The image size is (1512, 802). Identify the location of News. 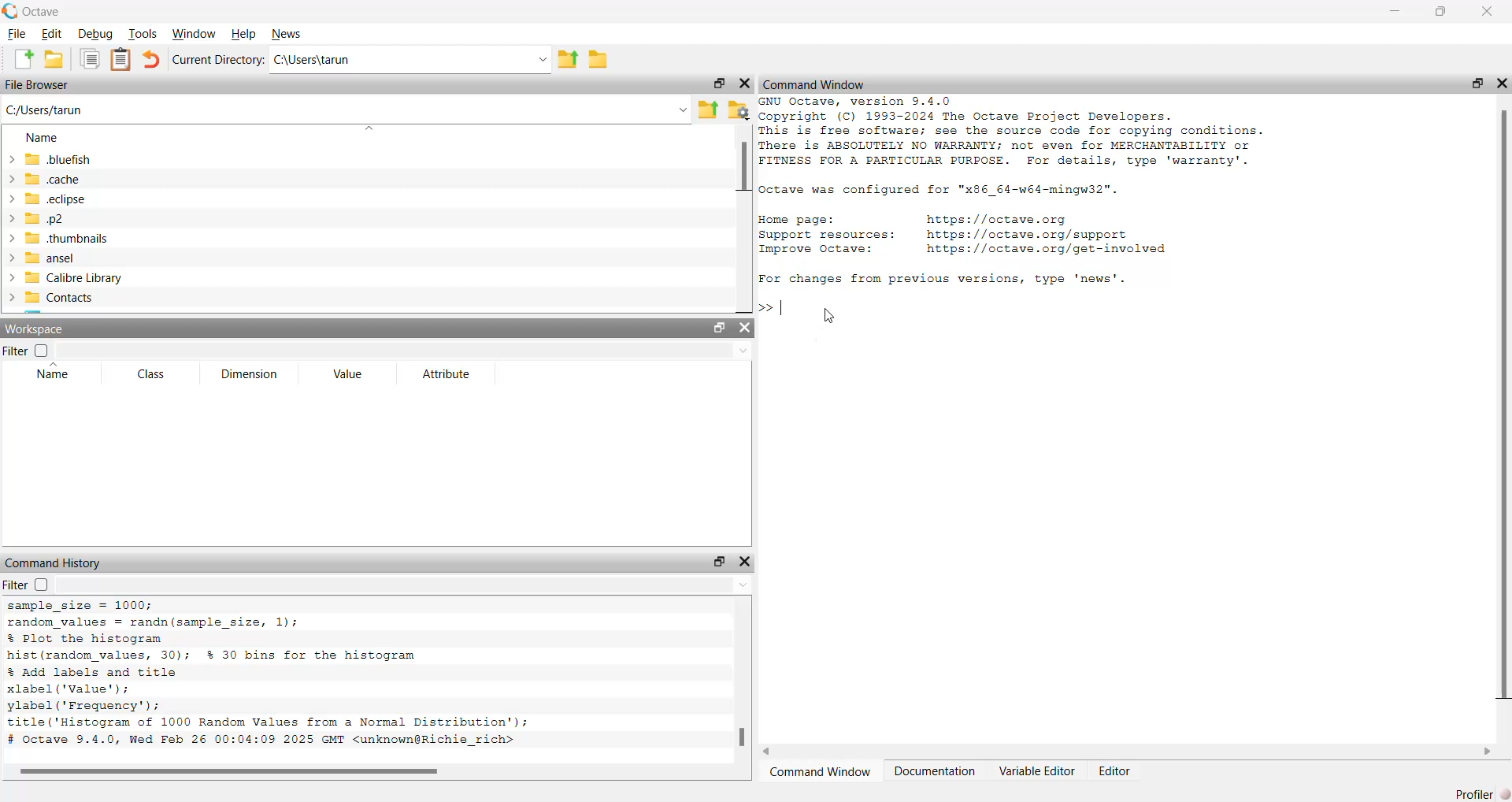
(291, 35).